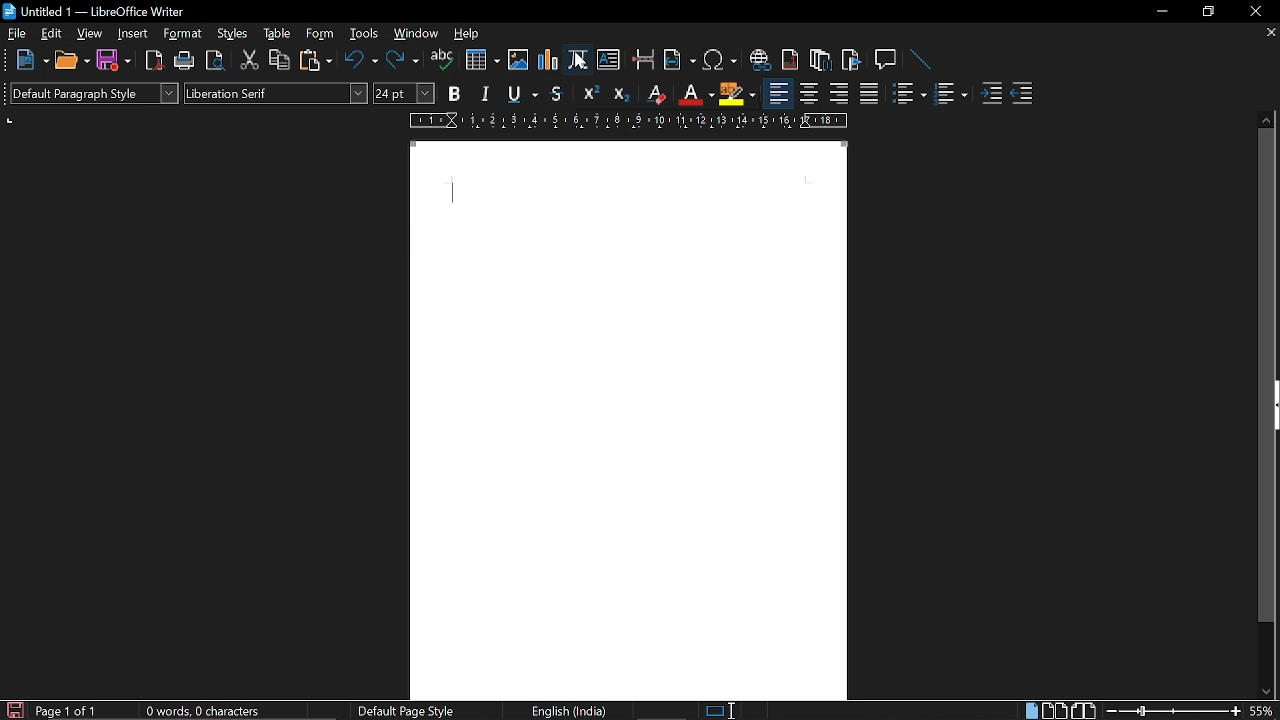  I want to click on underline, so click(519, 94).